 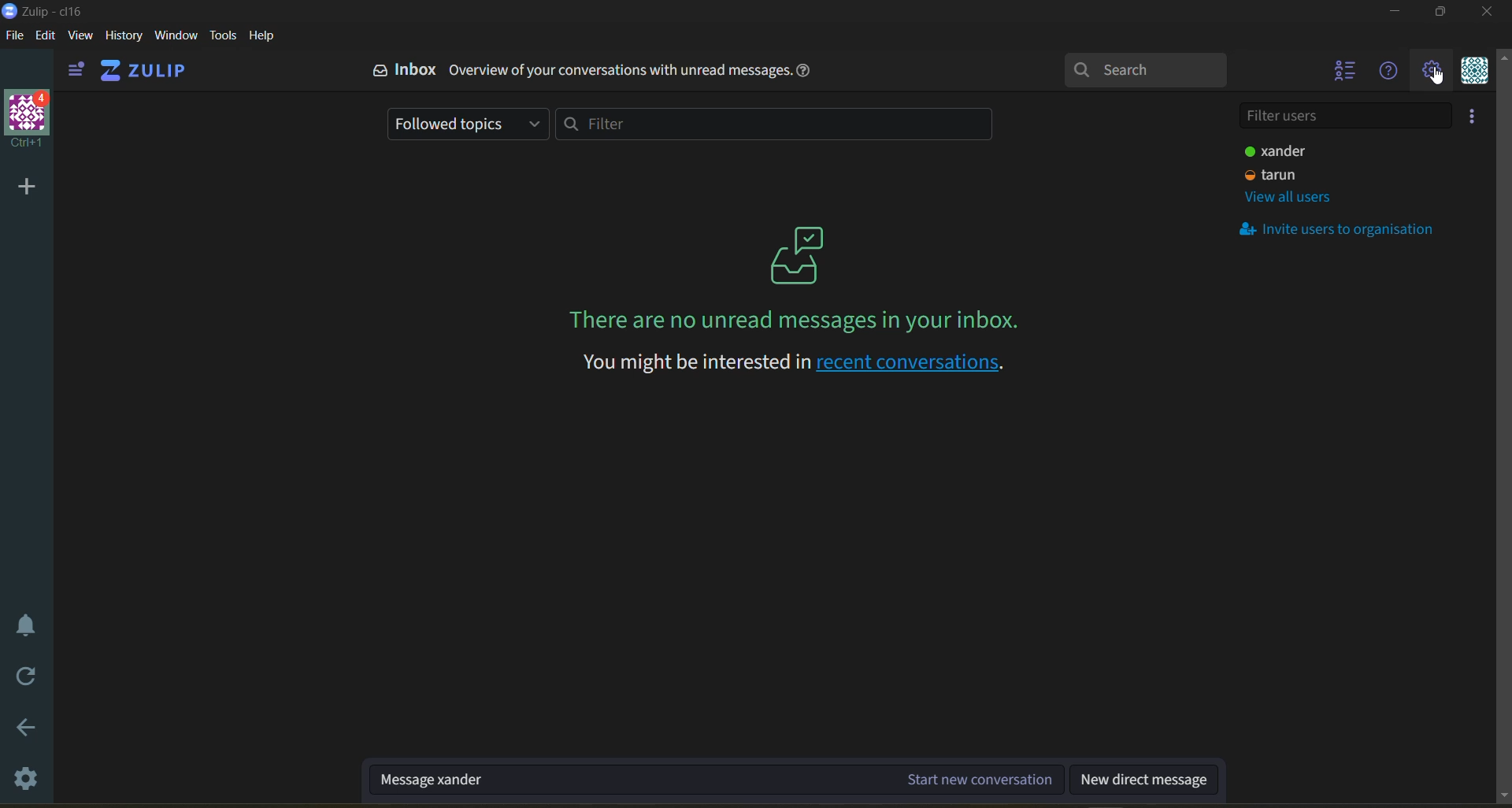 What do you see at coordinates (28, 677) in the screenshot?
I see `reload` at bounding box center [28, 677].